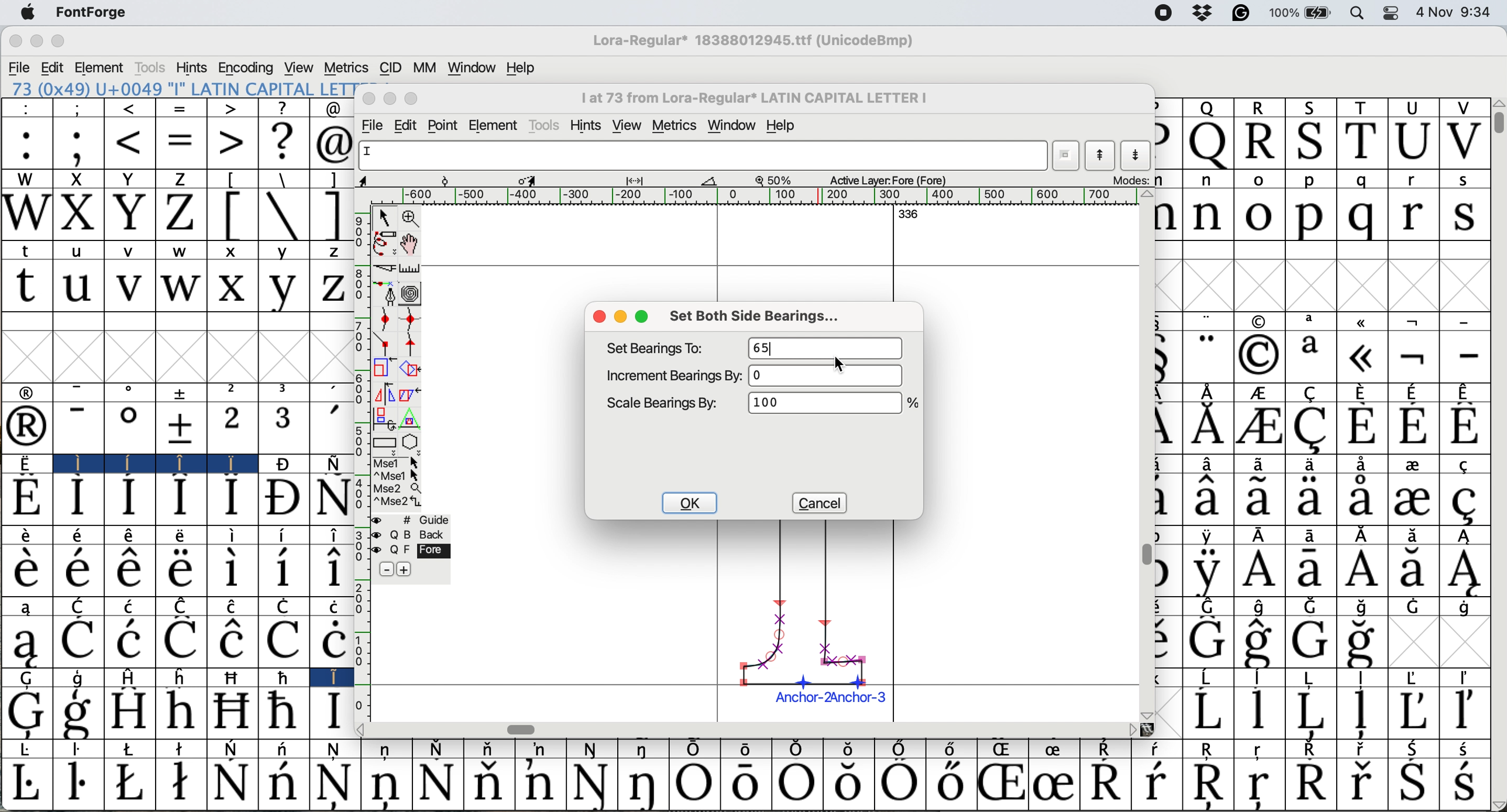 The height and width of the screenshot is (812, 1507). Describe the element at coordinates (378, 532) in the screenshot. I see `` at that location.